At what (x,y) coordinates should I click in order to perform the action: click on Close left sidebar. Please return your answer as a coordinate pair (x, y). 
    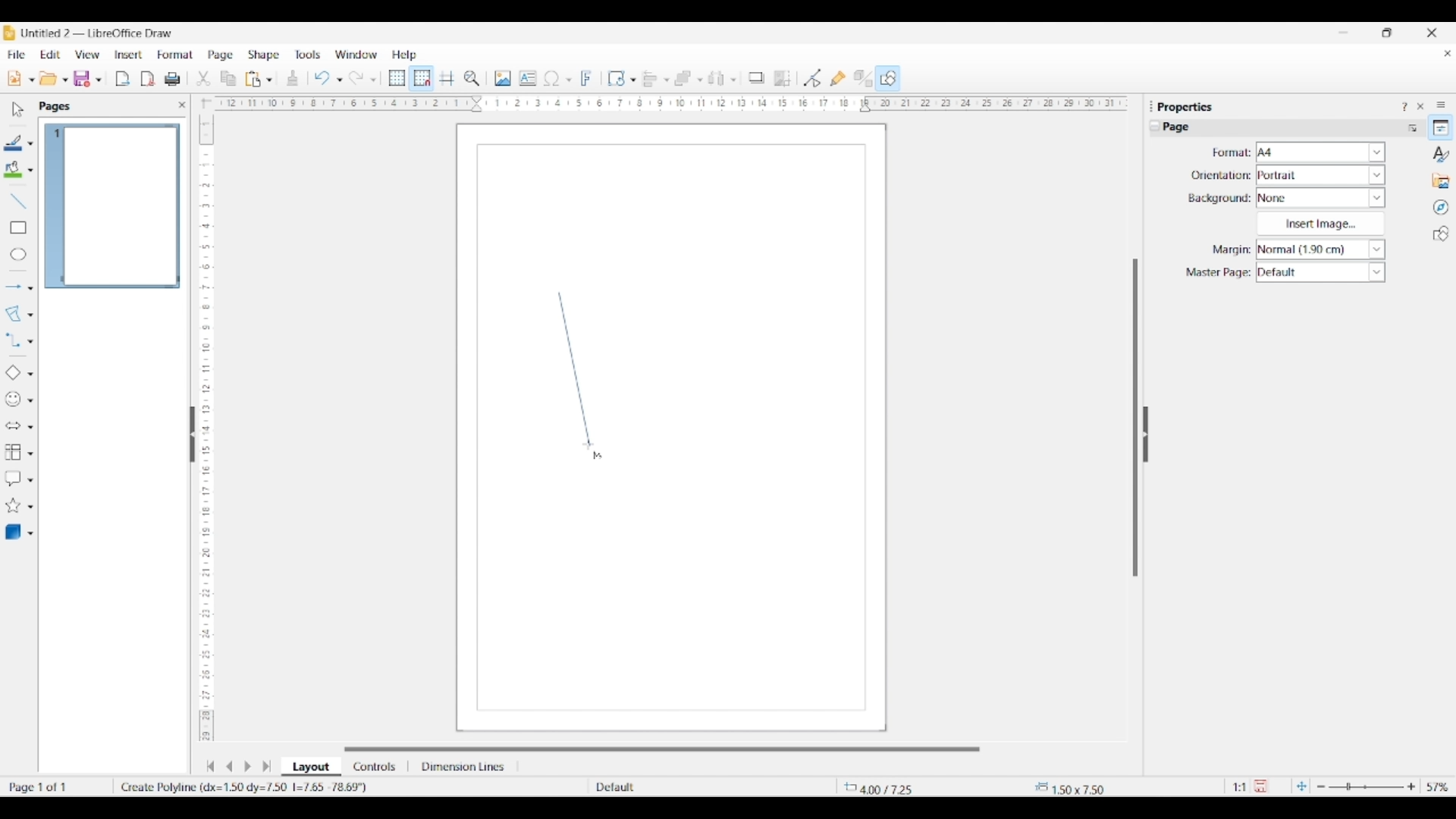
    Looking at the image, I should click on (182, 105).